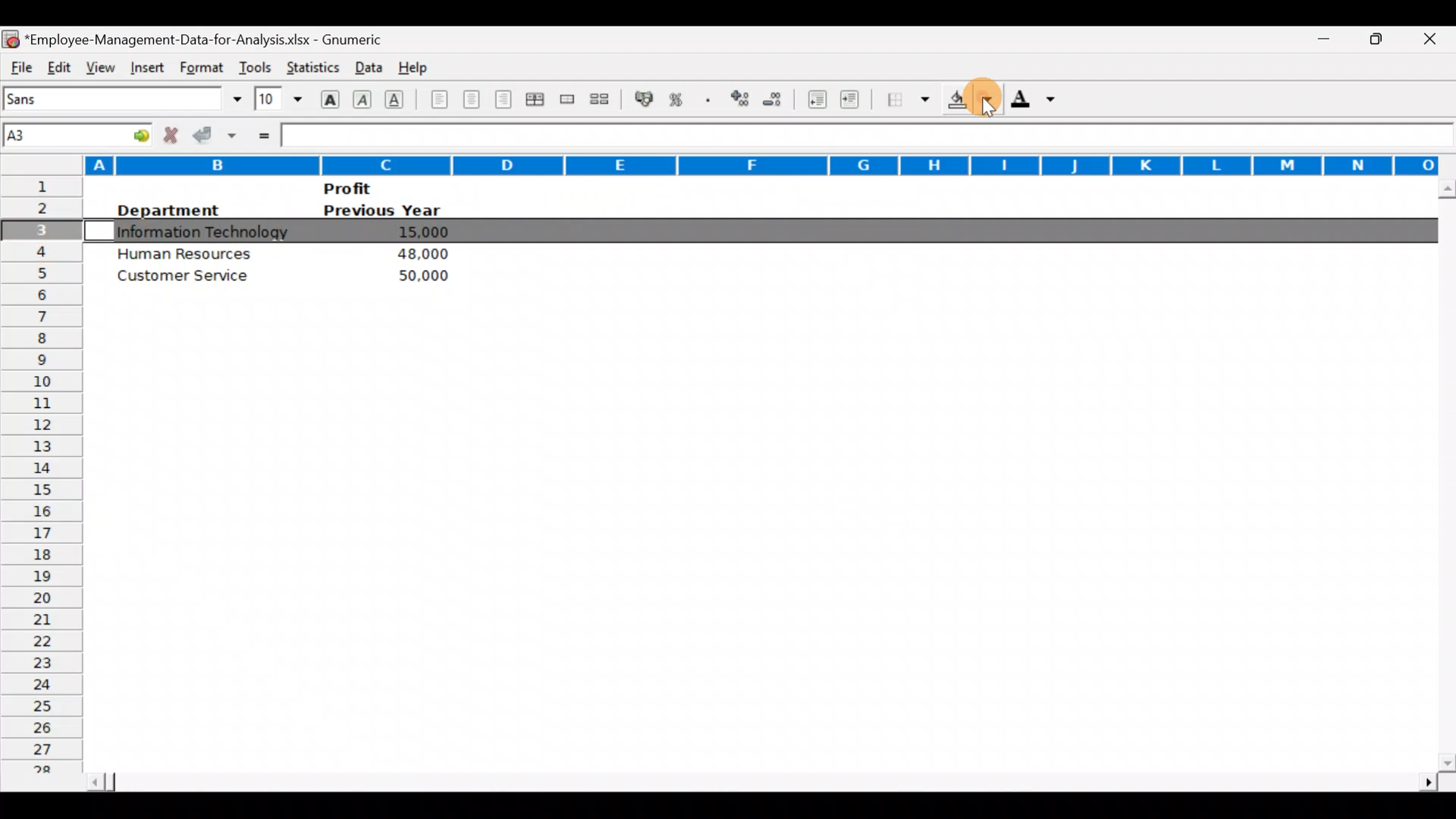 This screenshot has height=819, width=1456. Describe the element at coordinates (1382, 37) in the screenshot. I see `Maximize` at that location.